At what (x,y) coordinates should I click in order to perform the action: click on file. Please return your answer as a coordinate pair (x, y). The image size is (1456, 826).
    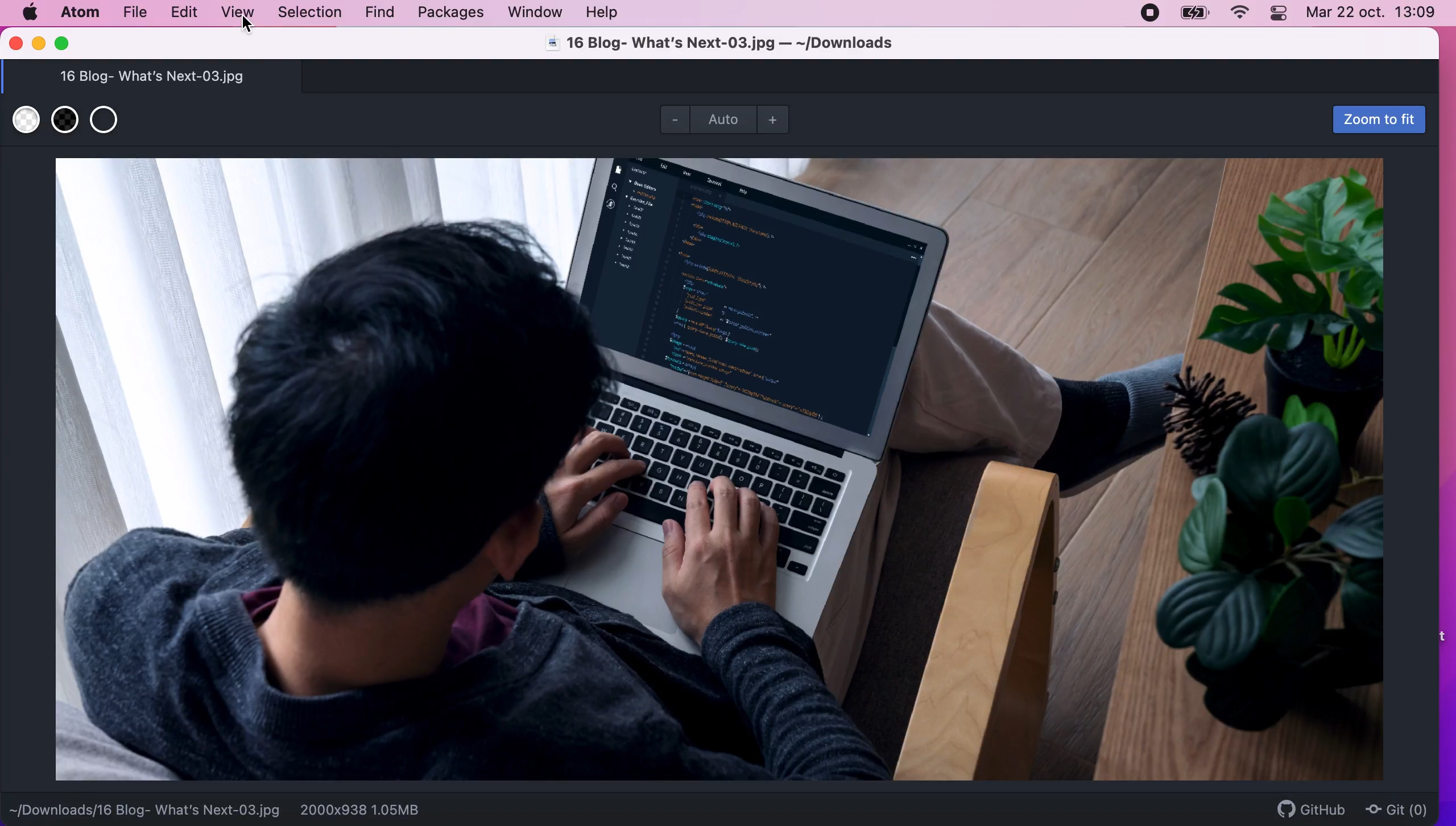
    Looking at the image, I should click on (135, 13).